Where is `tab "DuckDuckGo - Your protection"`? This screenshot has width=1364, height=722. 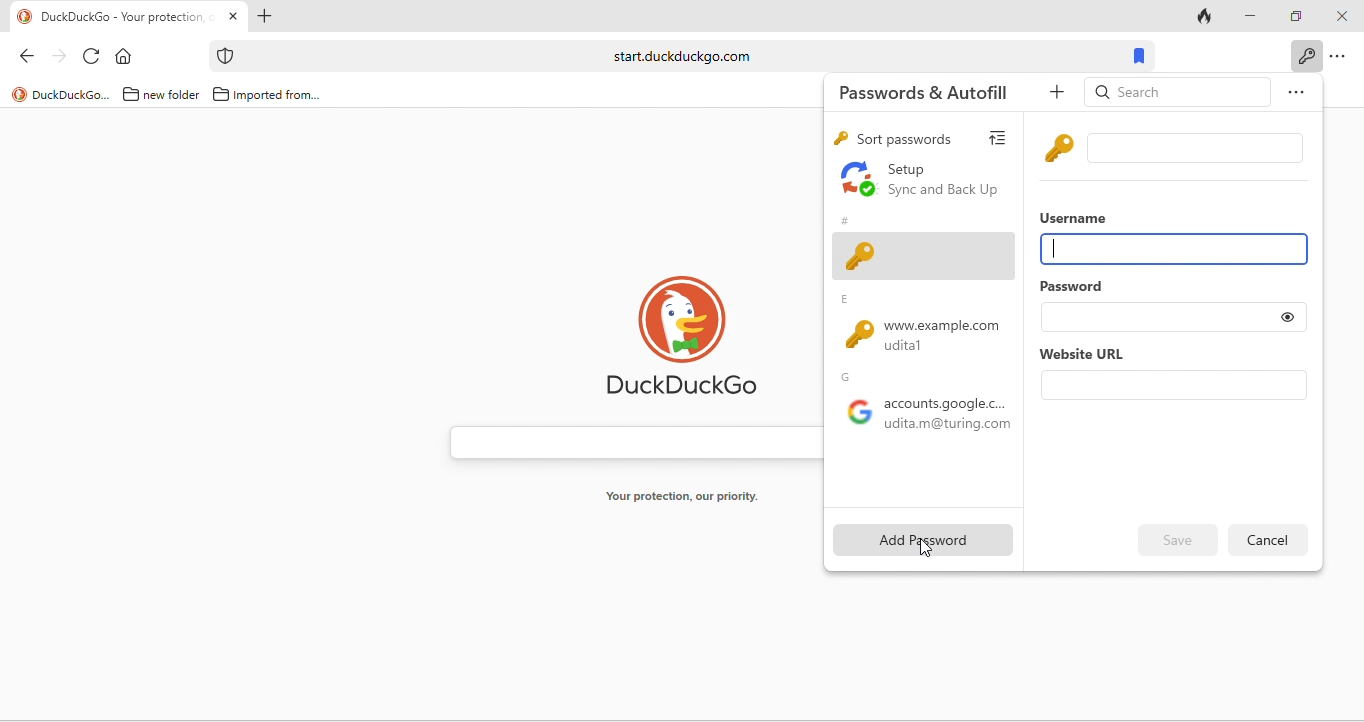 tab "DuckDuckGo - Your protection" is located at coordinates (129, 17).